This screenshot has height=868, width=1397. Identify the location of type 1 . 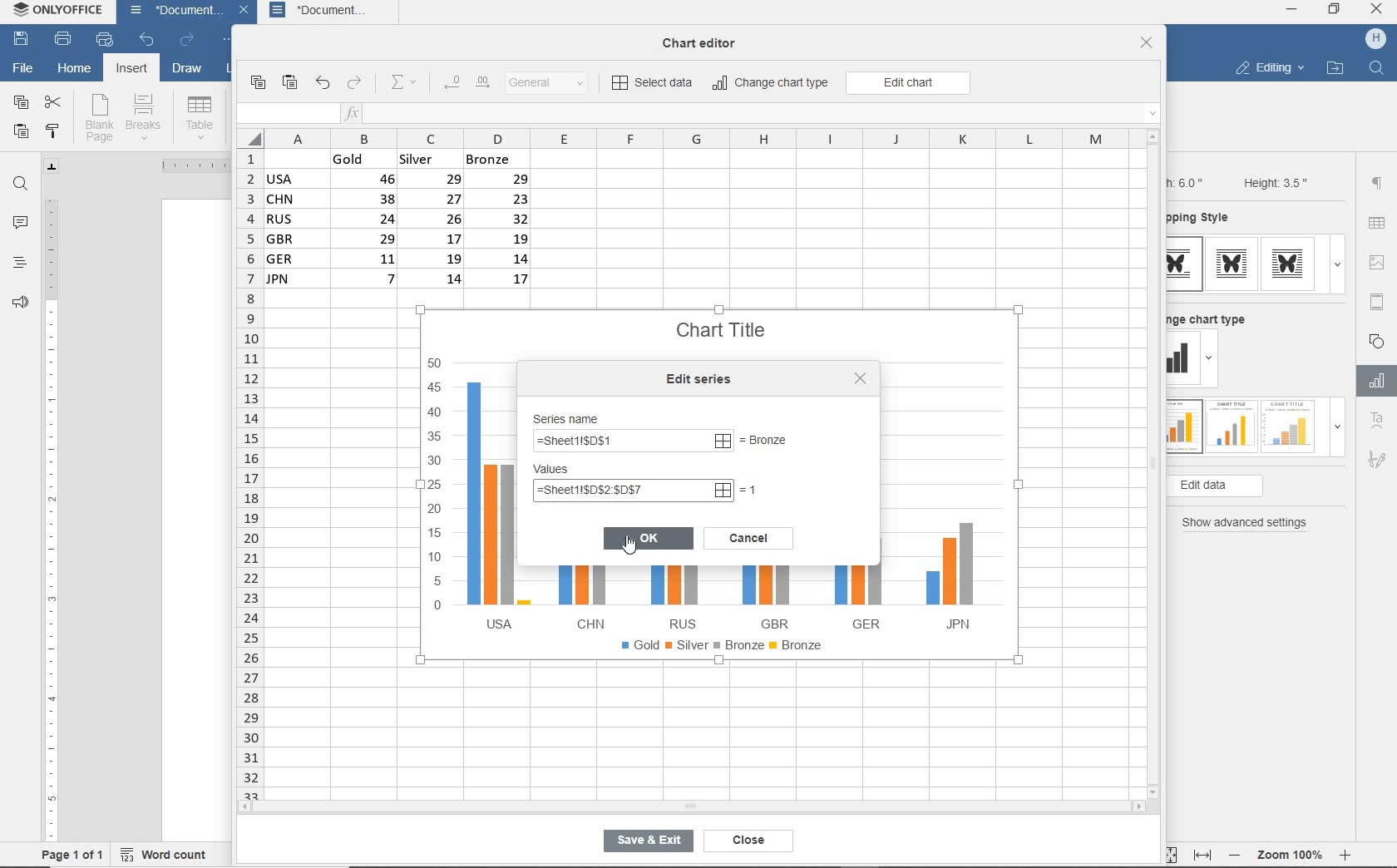
(1183, 427).